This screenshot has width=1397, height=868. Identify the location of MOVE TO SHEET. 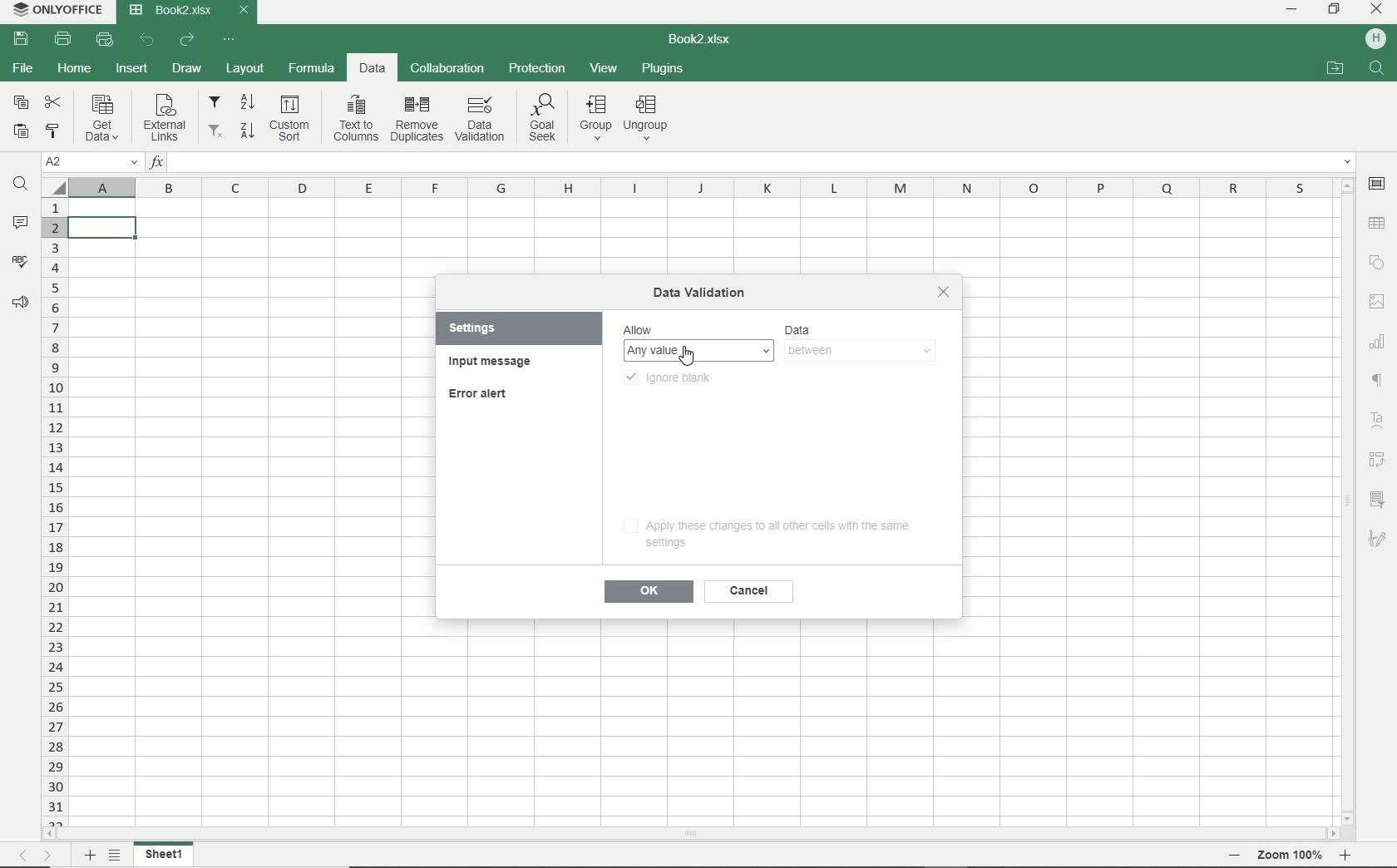
(32, 857).